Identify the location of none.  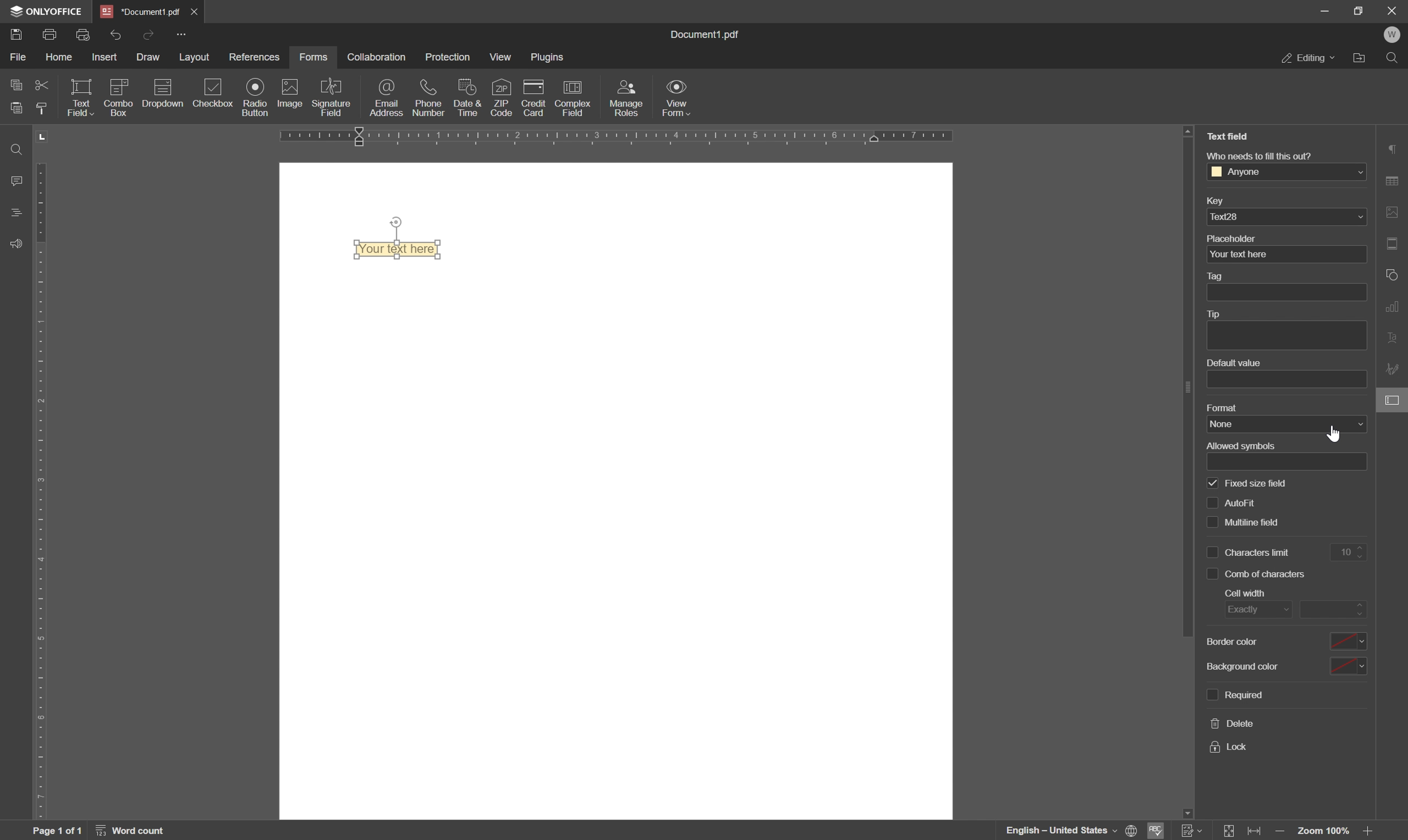
(1286, 424).